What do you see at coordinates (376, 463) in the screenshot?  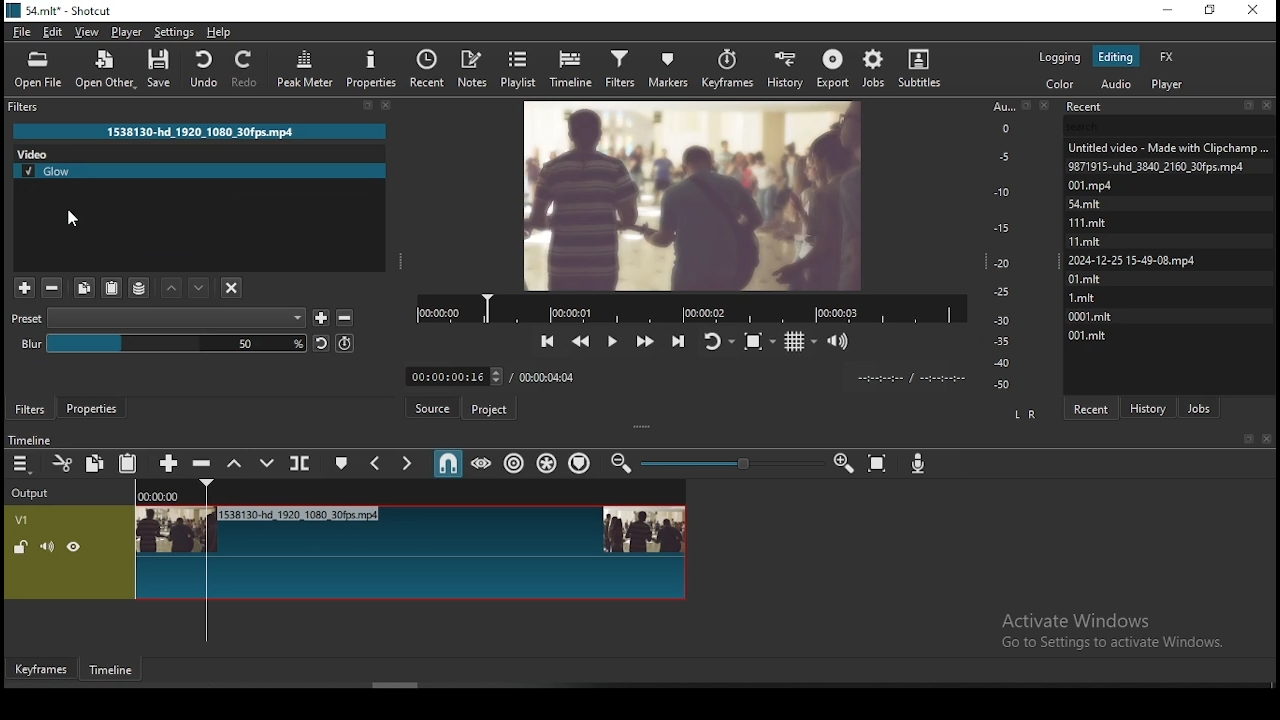 I see `previous marker` at bounding box center [376, 463].